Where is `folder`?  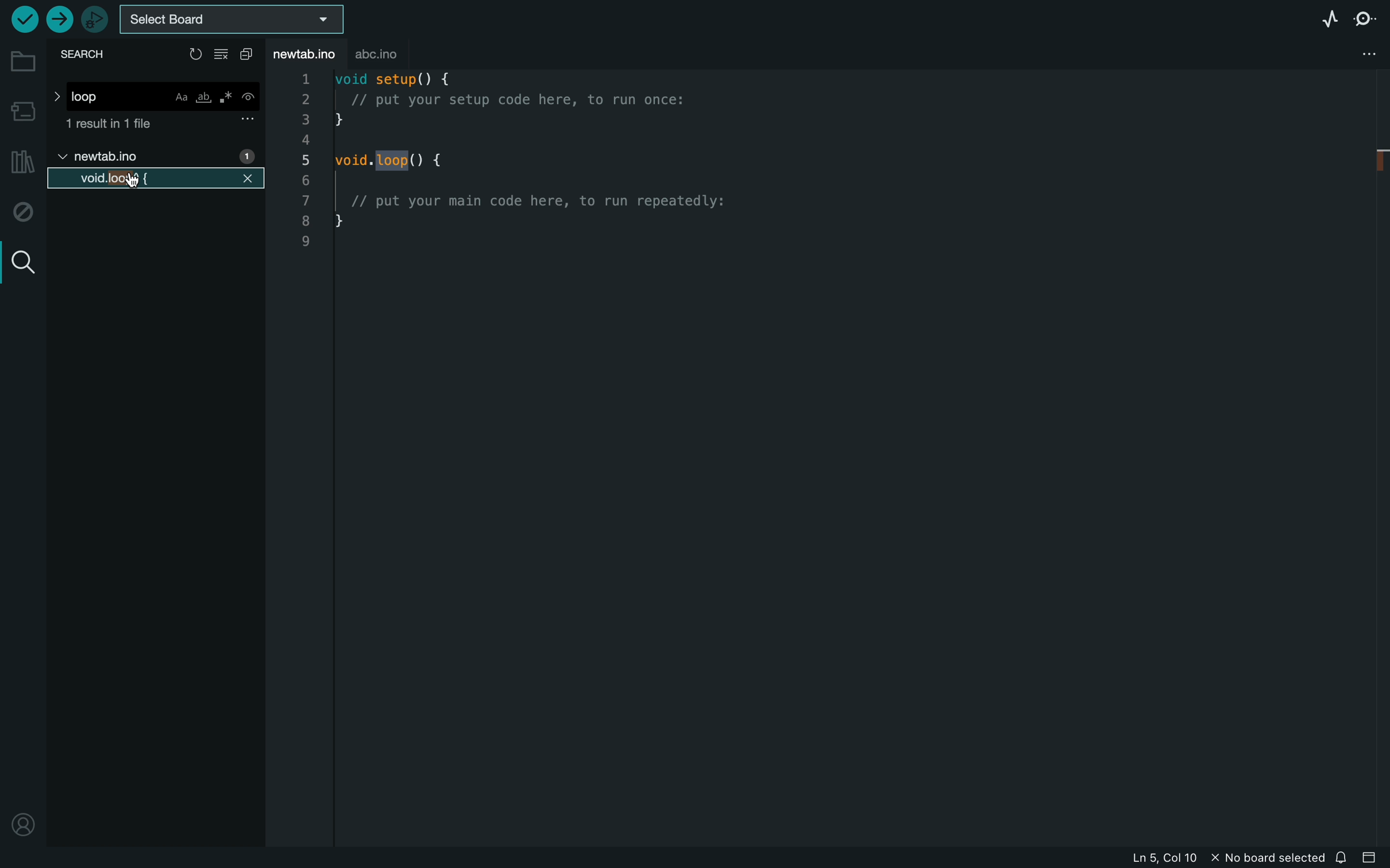
folder is located at coordinates (21, 62).